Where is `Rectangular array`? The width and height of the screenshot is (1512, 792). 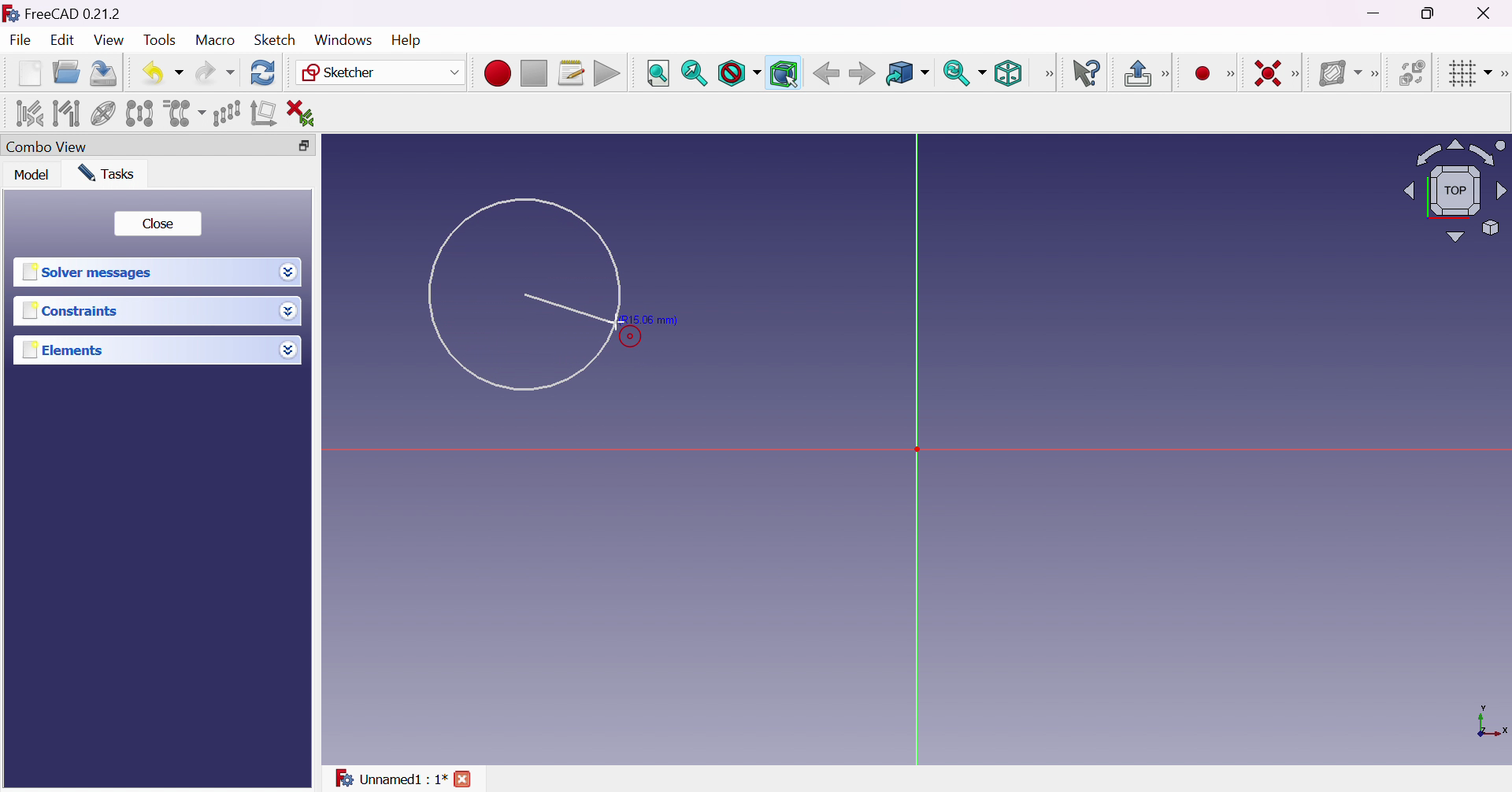 Rectangular array is located at coordinates (226, 112).